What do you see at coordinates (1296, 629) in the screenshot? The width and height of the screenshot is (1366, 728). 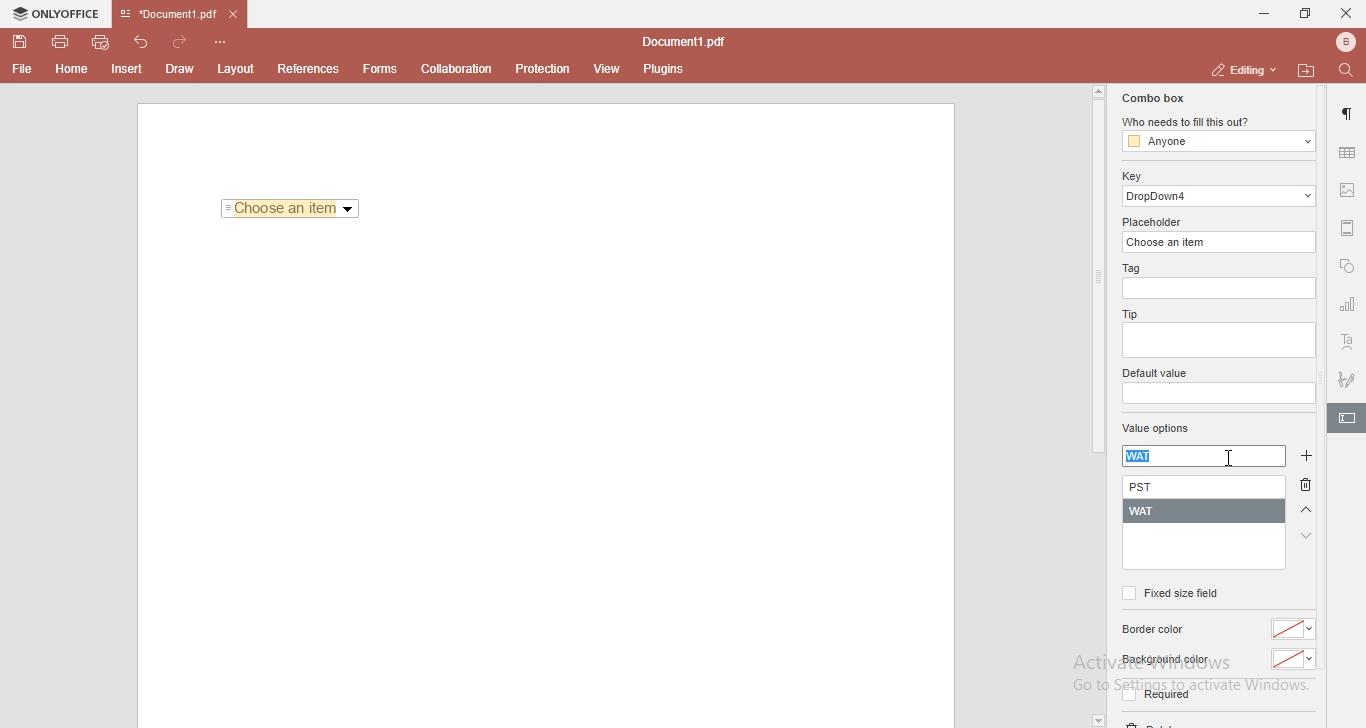 I see `color dropdown` at bounding box center [1296, 629].